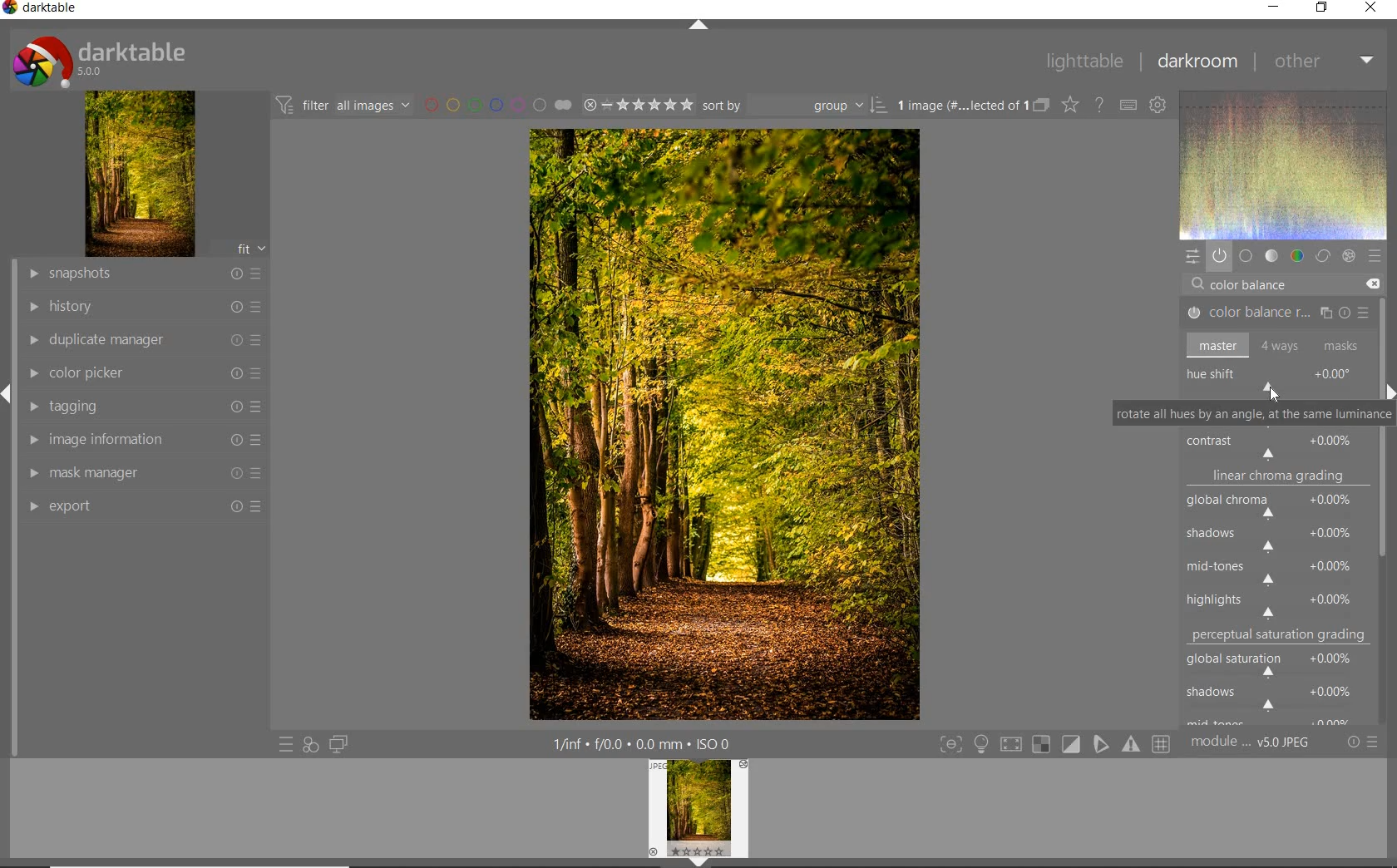 The width and height of the screenshot is (1397, 868). Describe the element at coordinates (1253, 285) in the screenshot. I see `COLOR BALANCE` at that location.